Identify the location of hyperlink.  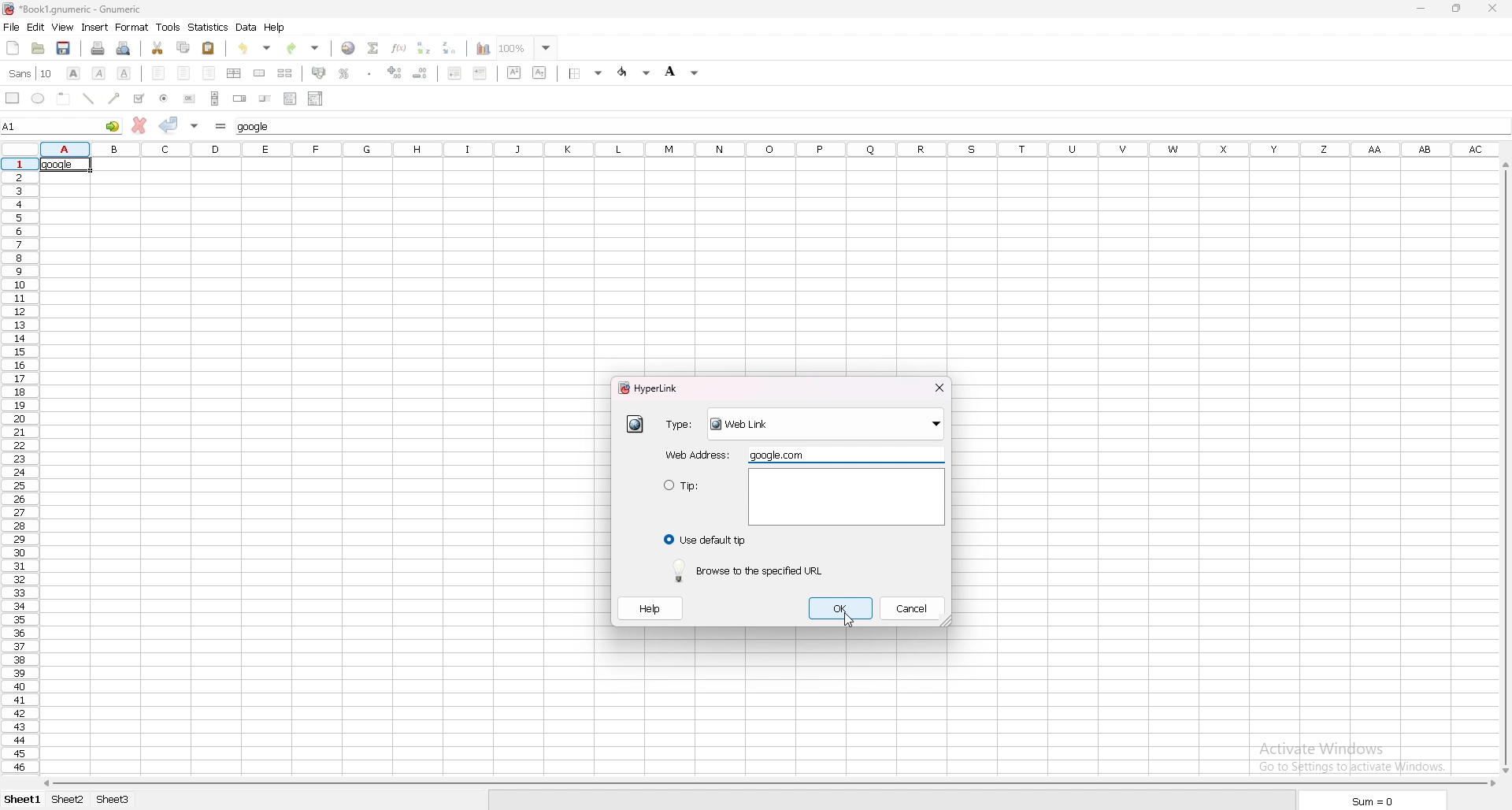
(653, 387).